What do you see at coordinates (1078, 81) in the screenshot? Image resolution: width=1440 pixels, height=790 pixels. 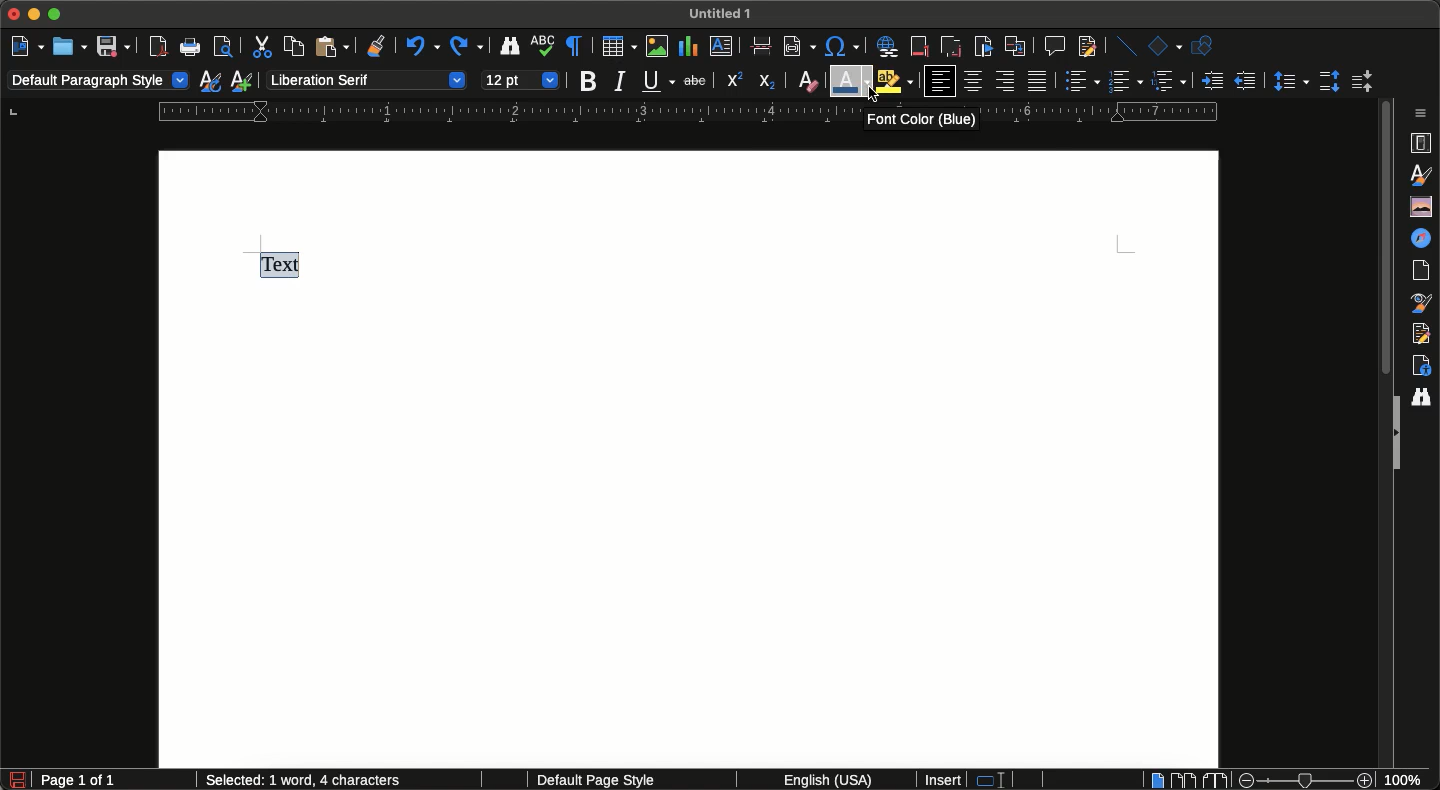 I see `Toggle unordered list` at bounding box center [1078, 81].